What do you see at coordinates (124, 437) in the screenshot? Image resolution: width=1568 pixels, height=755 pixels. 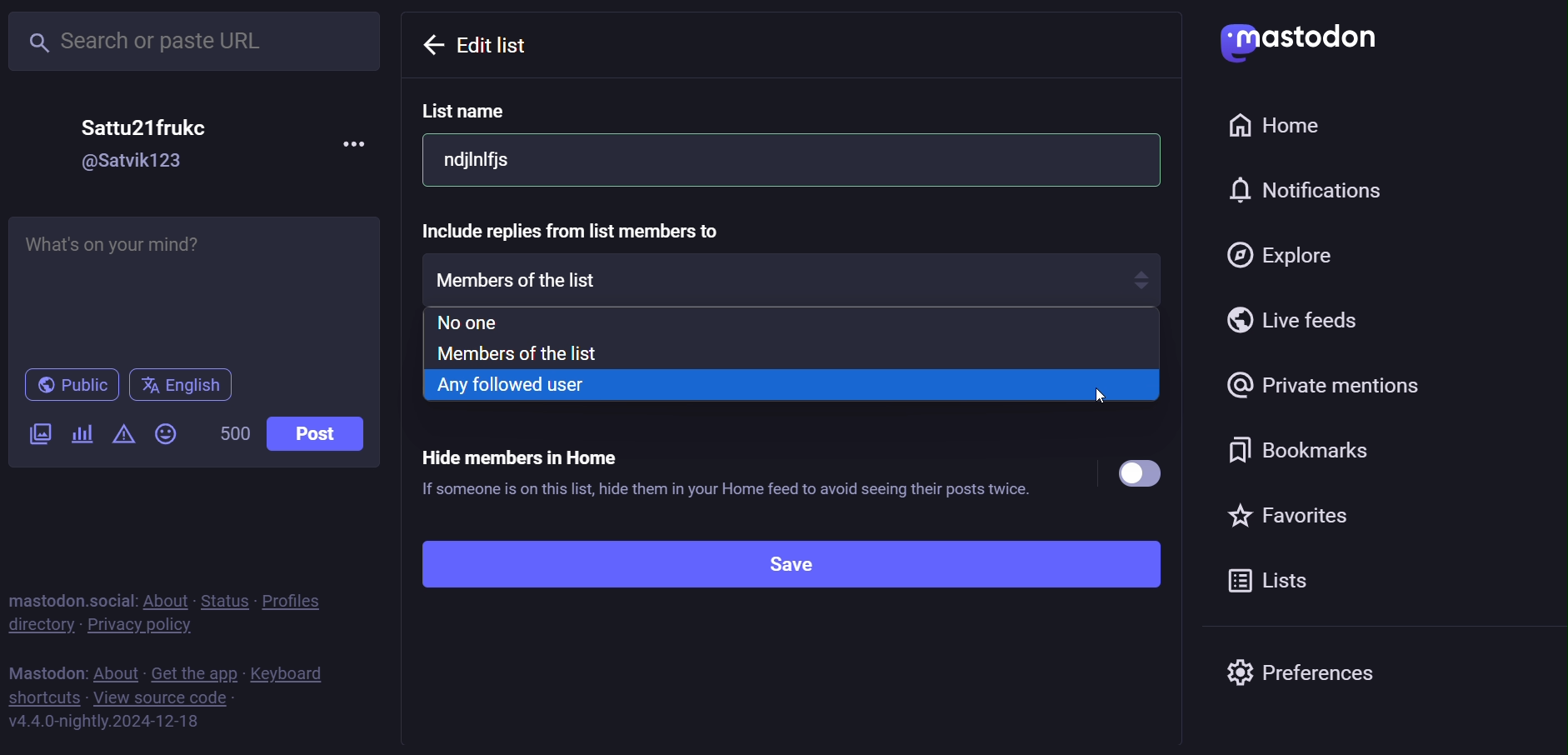 I see `content warning` at bounding box center [124, 437].